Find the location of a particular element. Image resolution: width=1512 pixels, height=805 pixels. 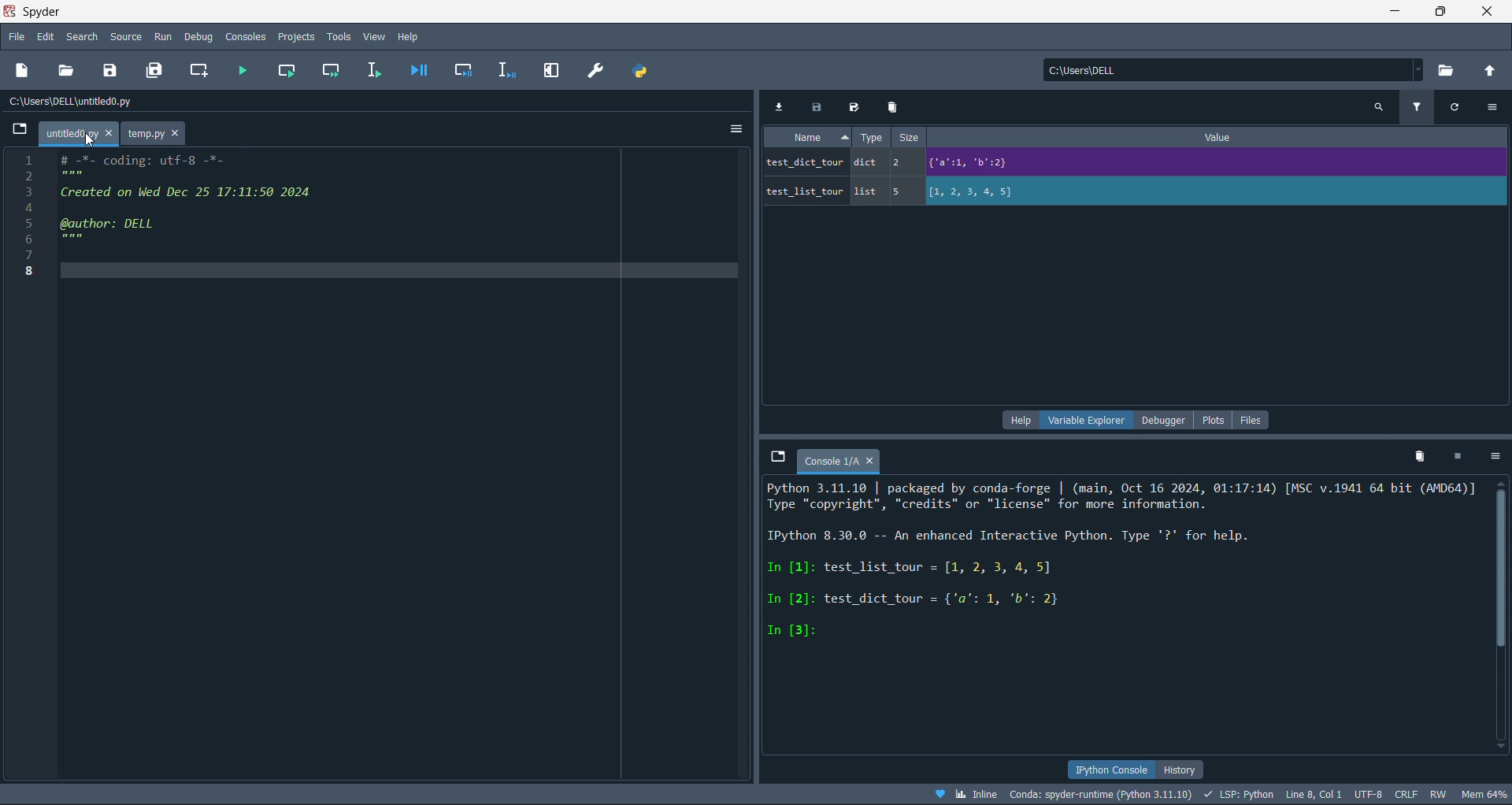

Line 8, col 1 is located at coordinates (1317, 796).